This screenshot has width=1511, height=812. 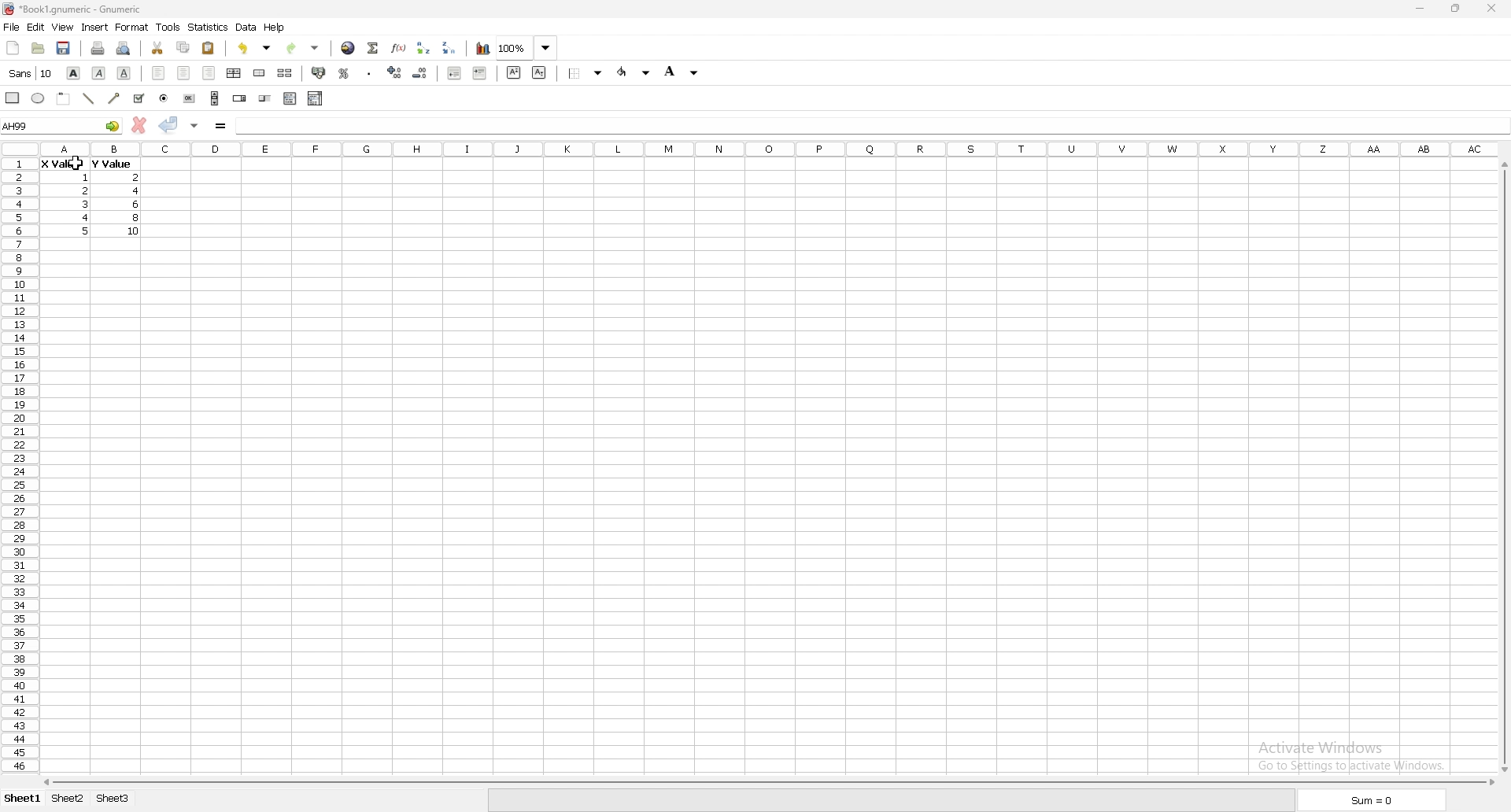 What do you see at coordinates (135, 231) in the screenshot?
I see `value` at bounding box center [135, 231].